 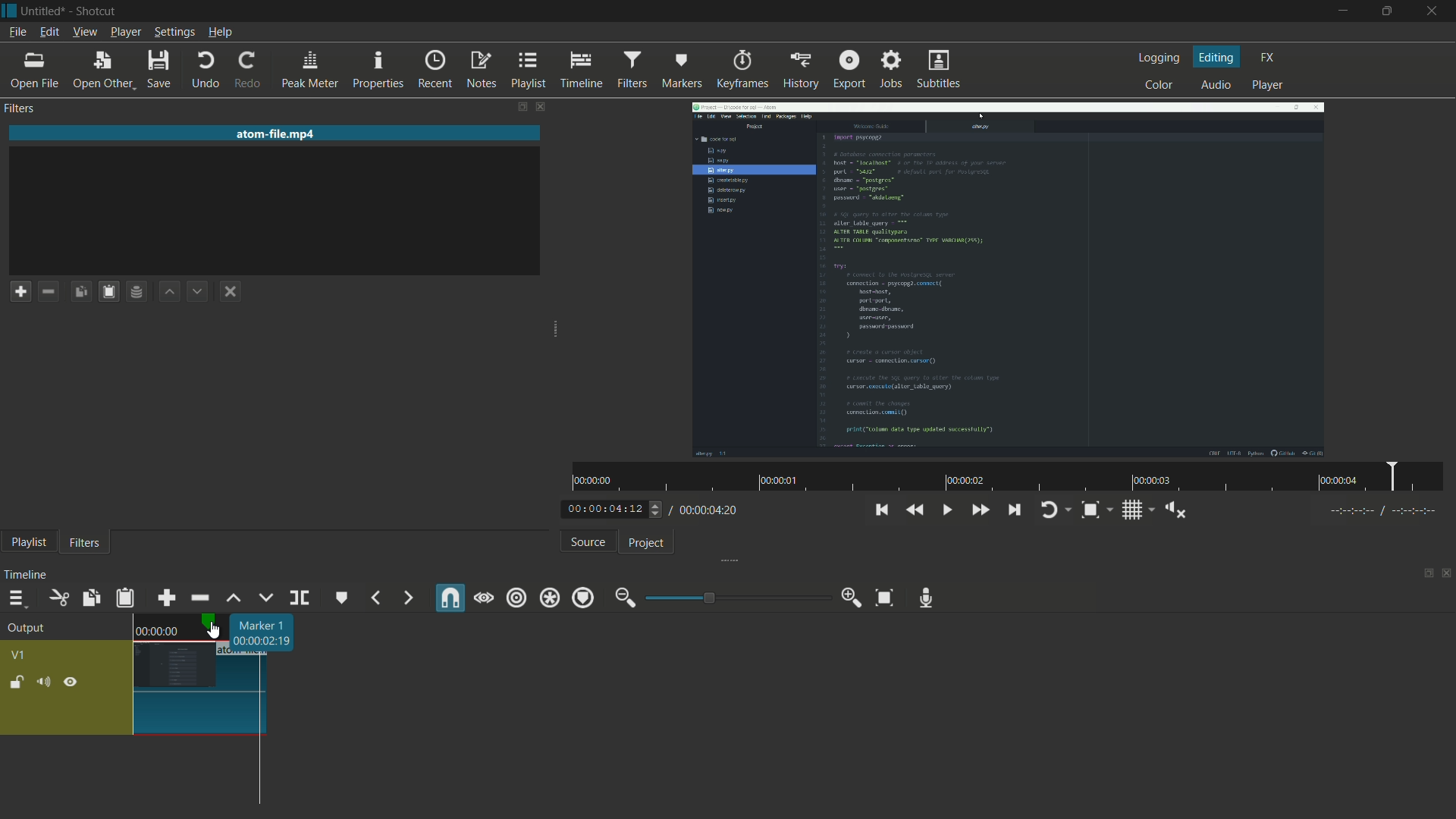 What do you see at coordinates (263, 632) in the screenshot?
I see `marker-1 pop up` at bounding box center [263, 632].